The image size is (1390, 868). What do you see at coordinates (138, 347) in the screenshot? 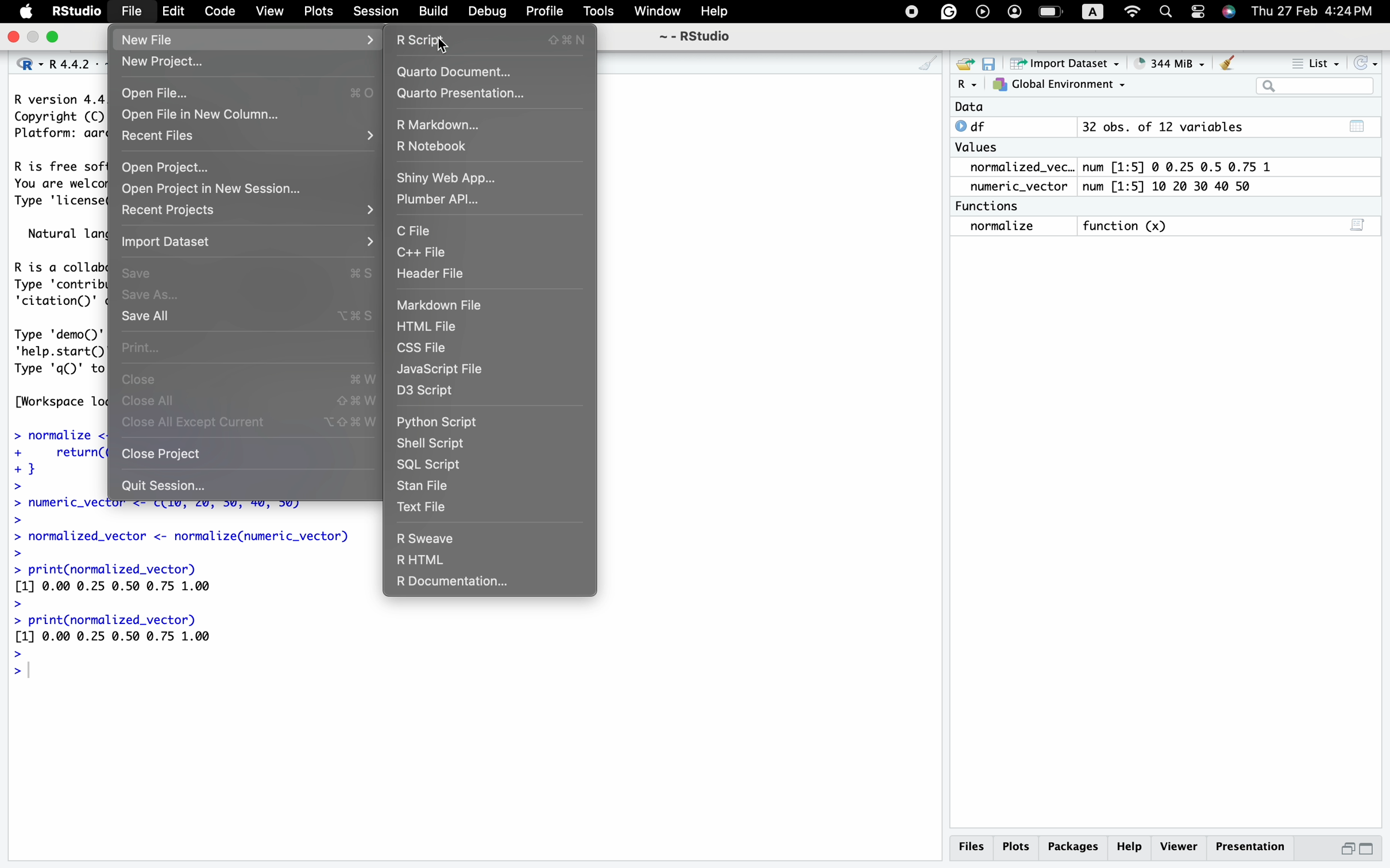
I see `Print...` at bounding box center [138, 347].